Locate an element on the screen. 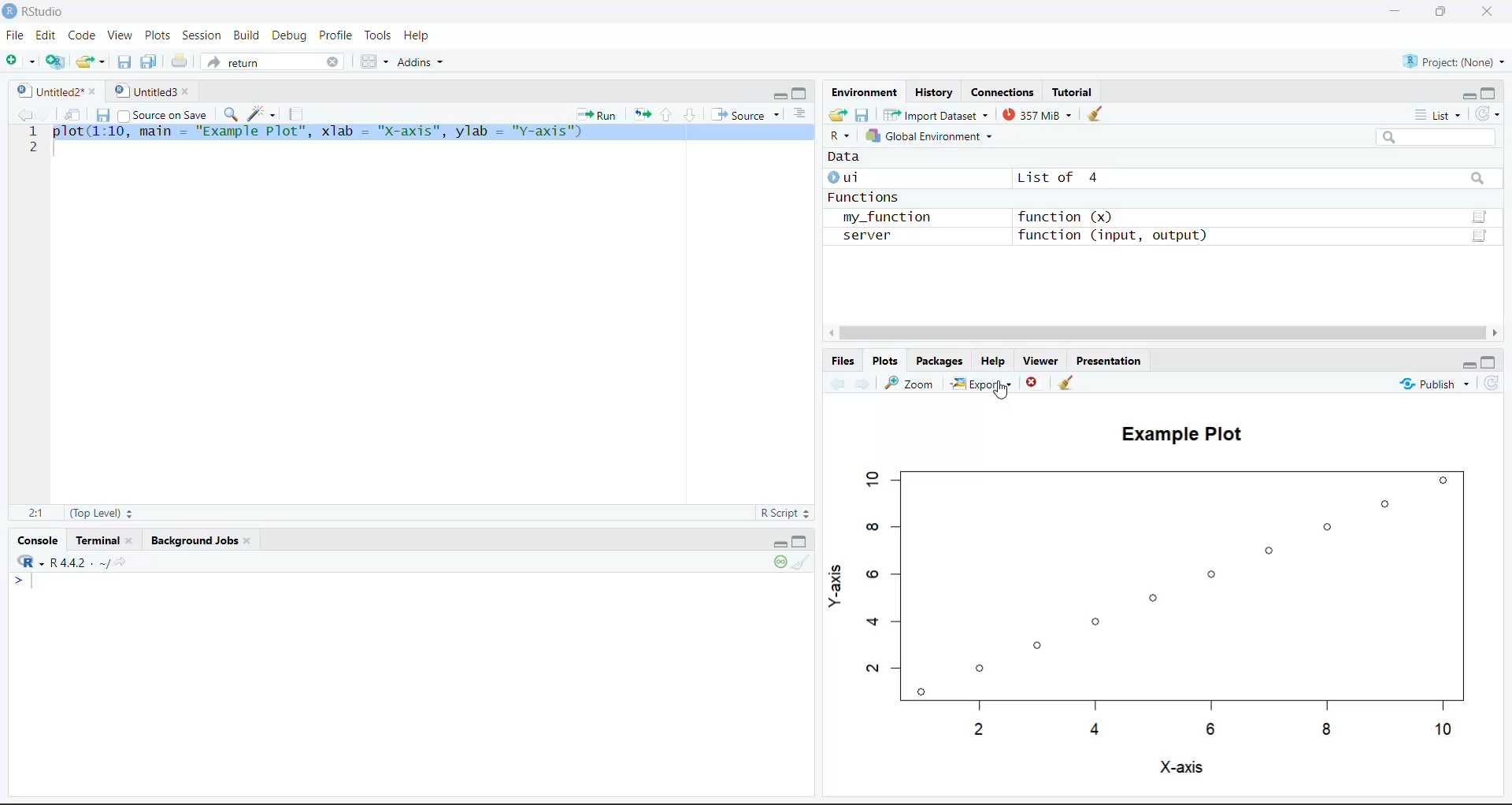 Image resolution: width=1512 pixels, height=805 pixels. Clear console (Ctrl +L) is located at coordinates (1069, 383).